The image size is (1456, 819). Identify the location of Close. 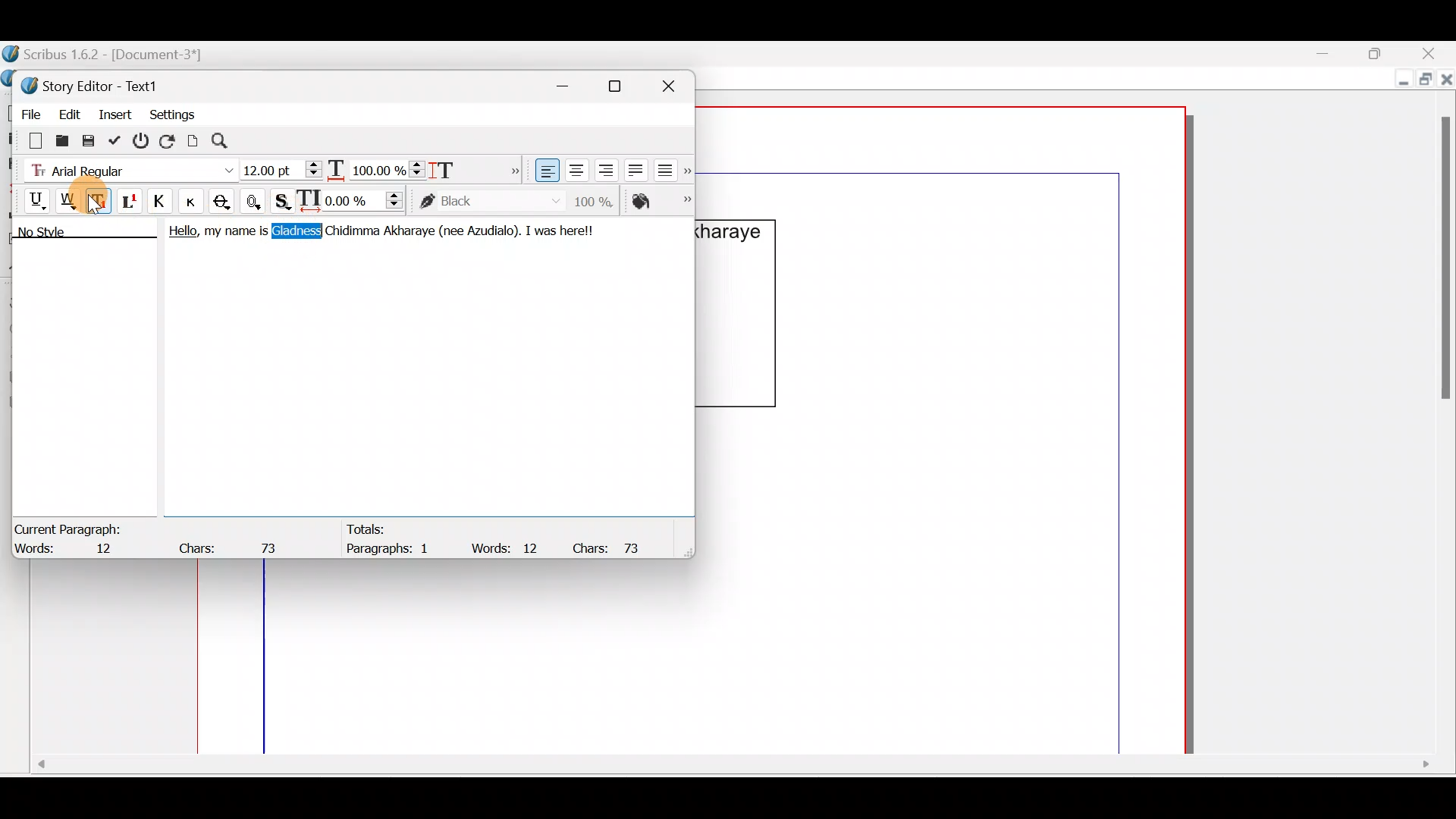
(1447, 83).